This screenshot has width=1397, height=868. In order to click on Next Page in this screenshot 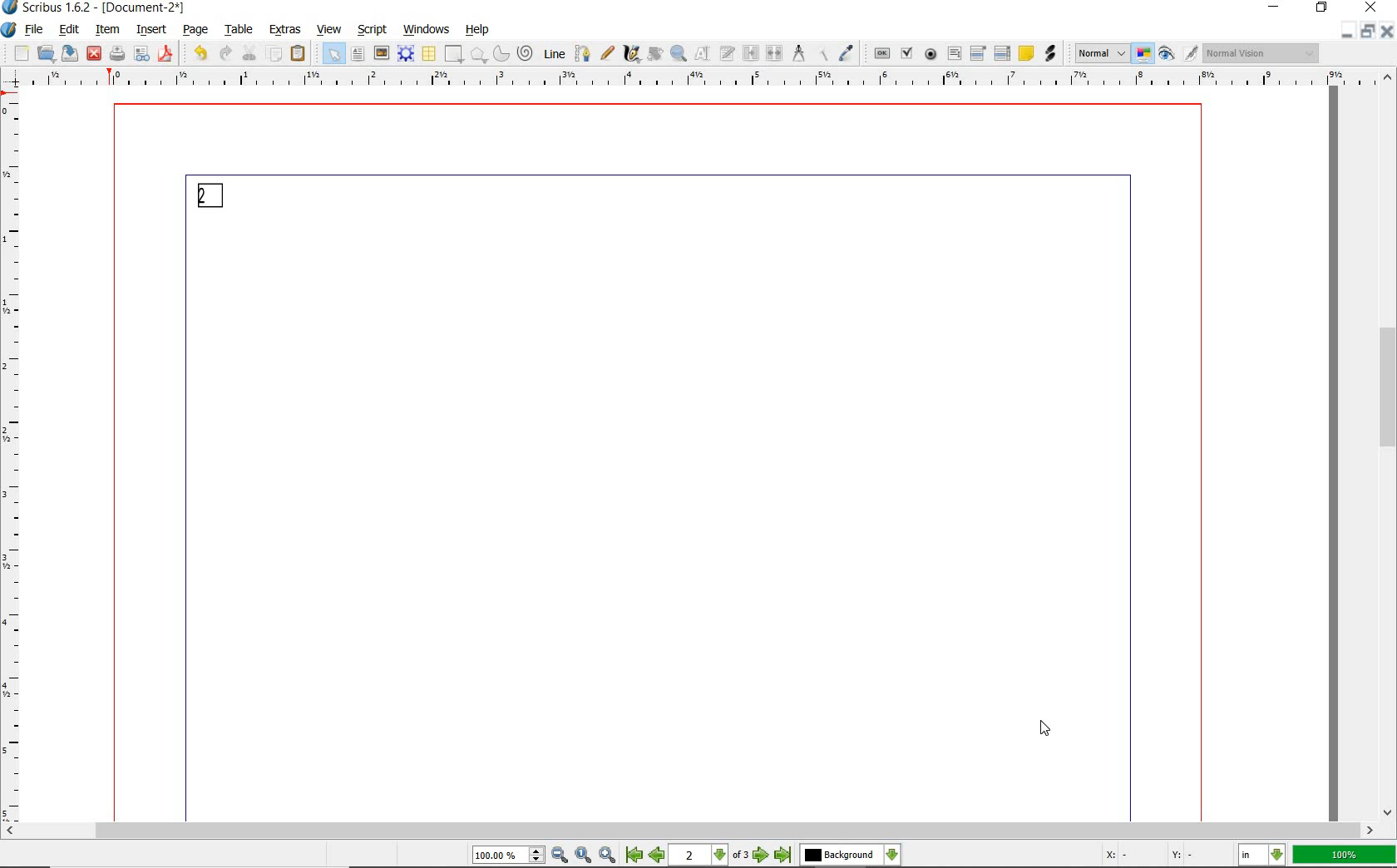, I will do `click(762, 856)`.